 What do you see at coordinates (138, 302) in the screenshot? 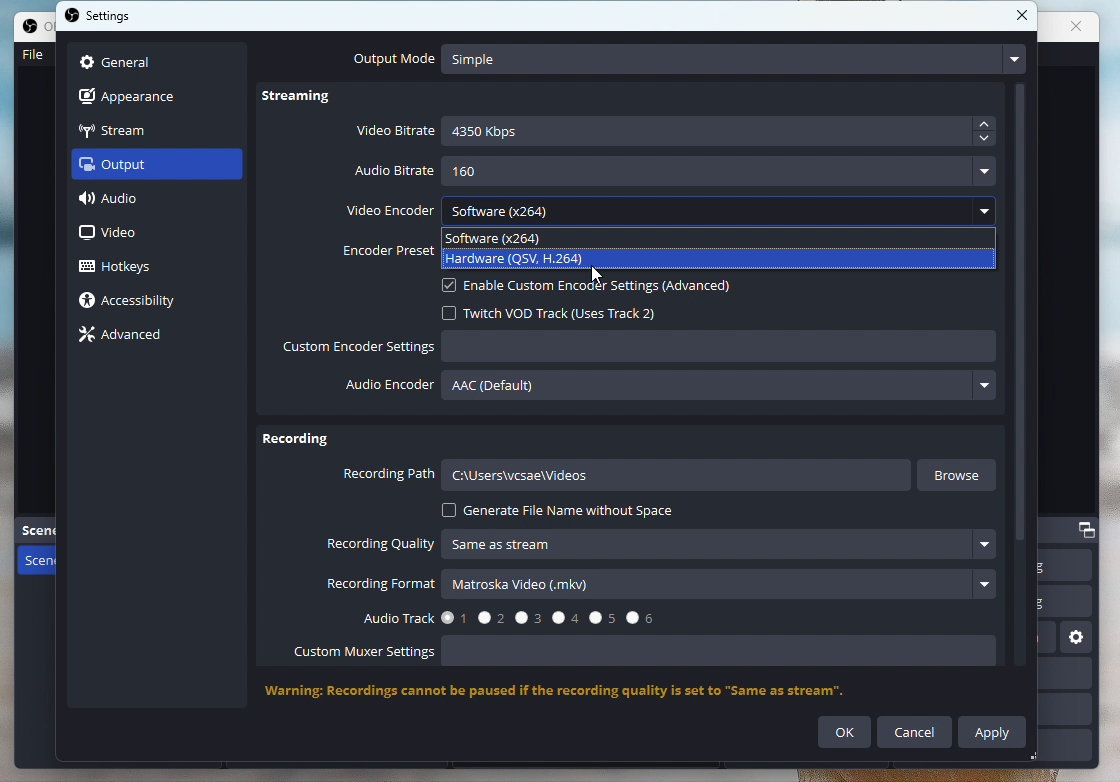
I see `Accessibility` at bounding box center [138, 302].